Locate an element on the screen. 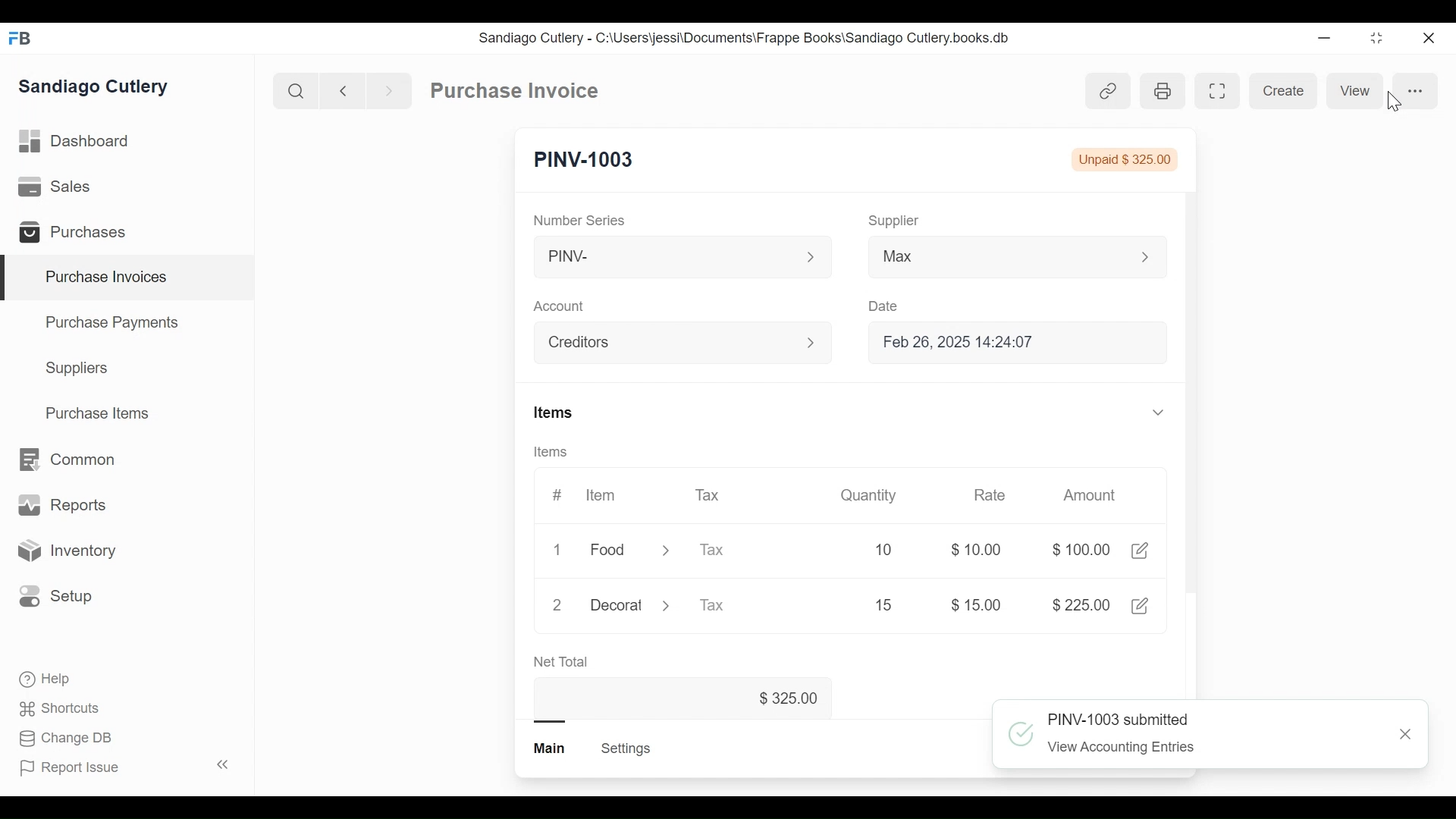 This screenshot has height=819, width=1456. Amount is located at coordinates (1085, 494).